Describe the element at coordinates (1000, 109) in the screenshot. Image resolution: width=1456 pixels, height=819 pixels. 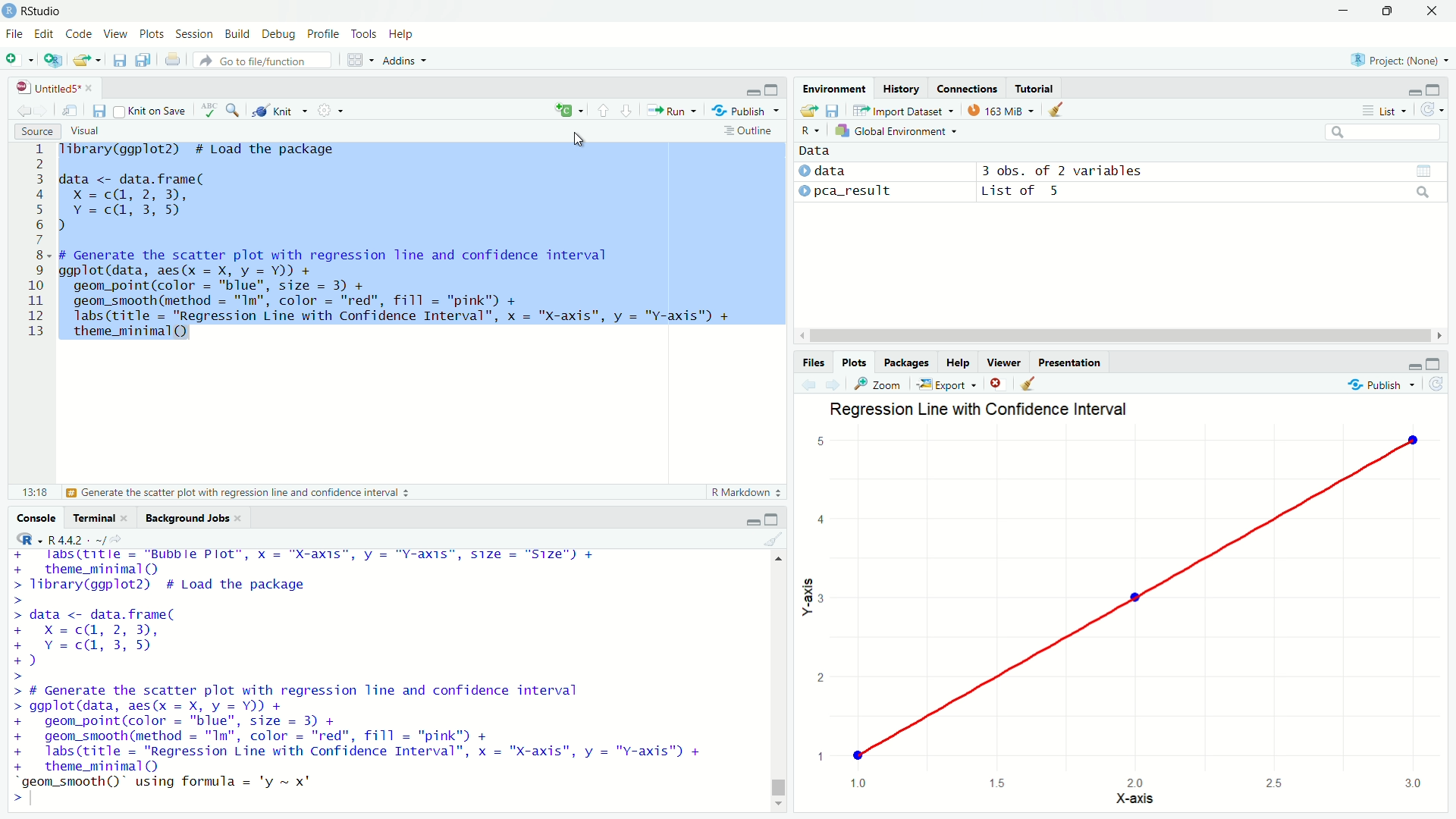
I see `163 MiB` at that location.